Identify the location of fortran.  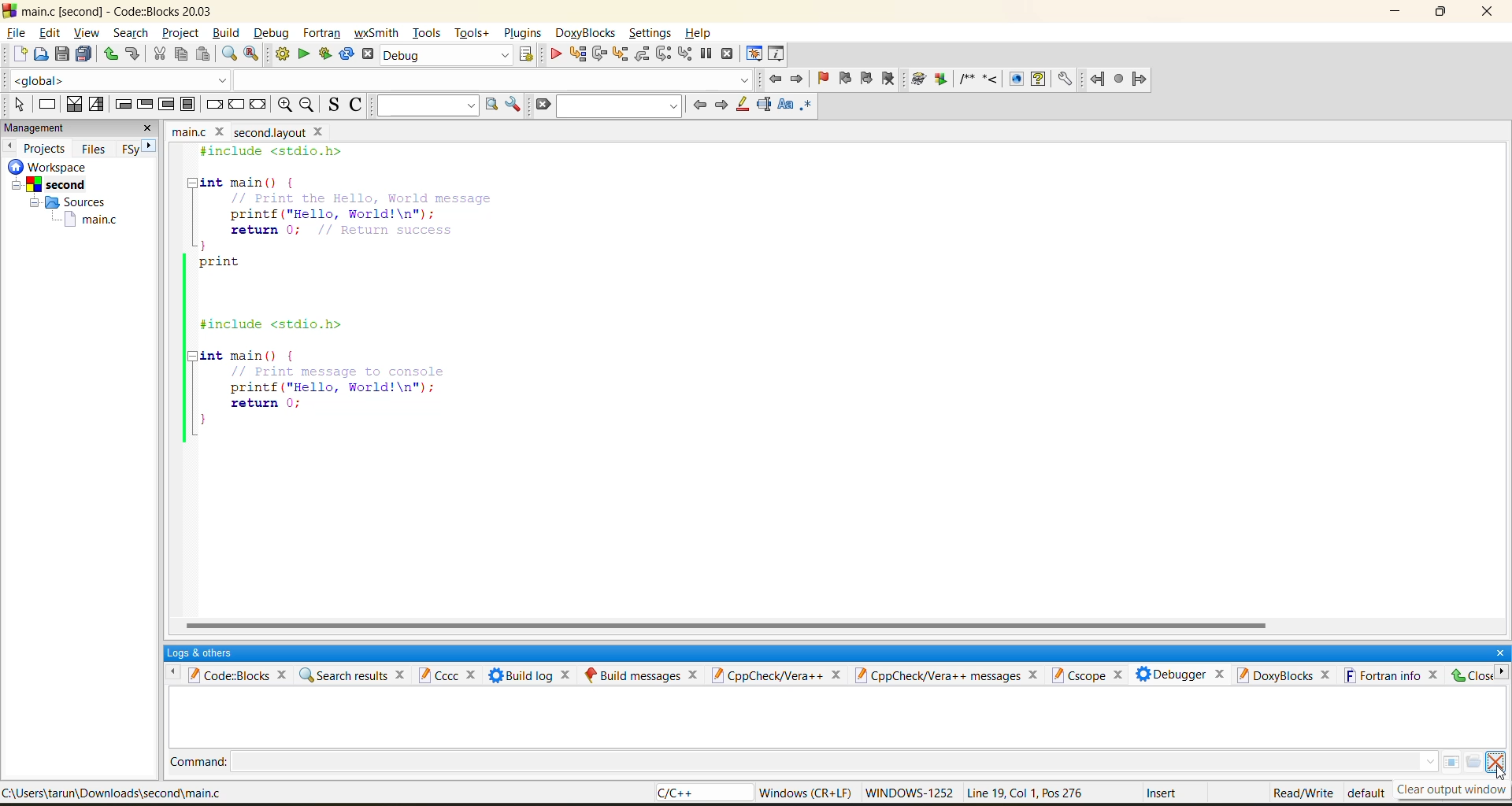
(1119, 79).